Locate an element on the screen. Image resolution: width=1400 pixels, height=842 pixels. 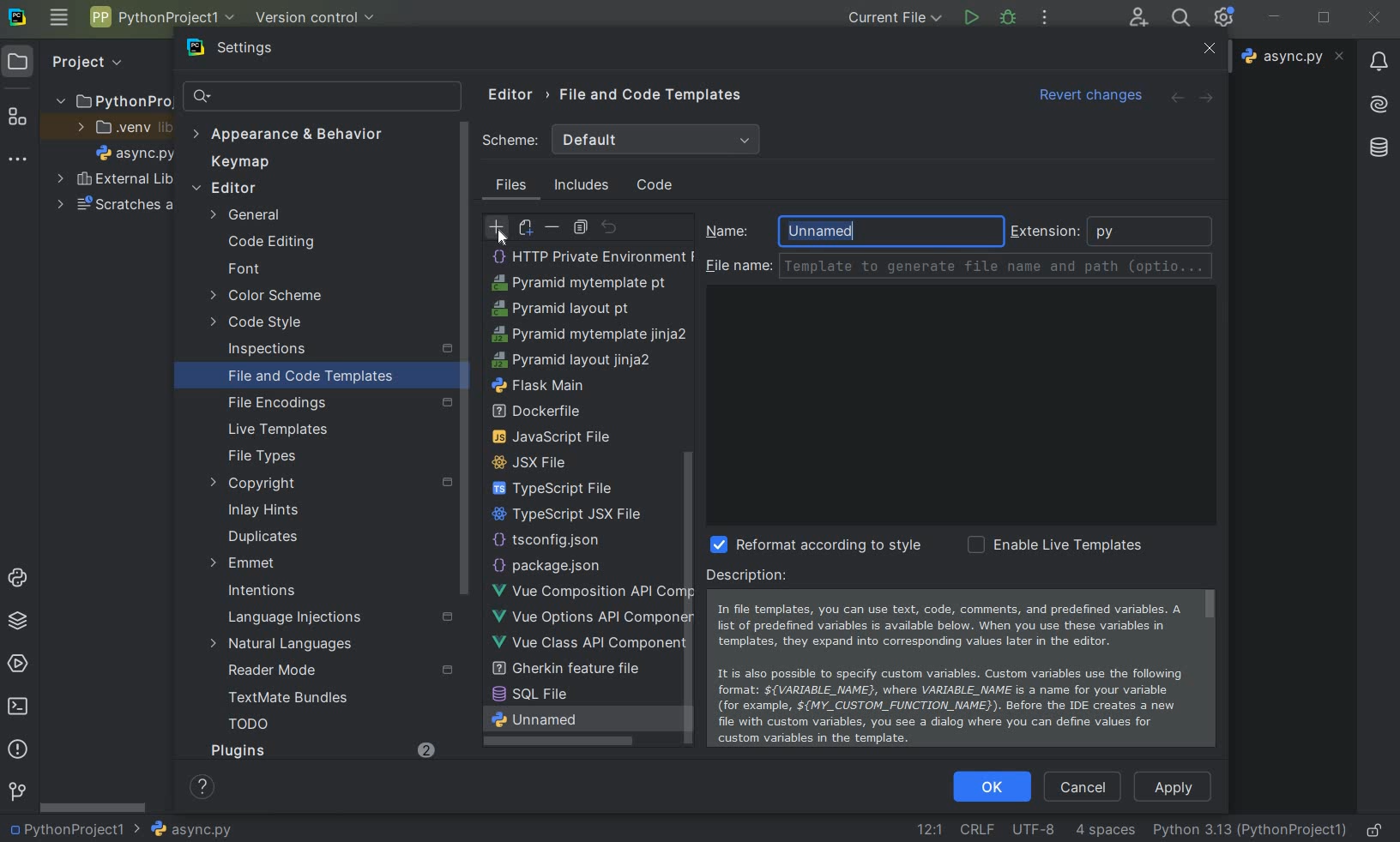
file name is located at coordinates (194, 831).